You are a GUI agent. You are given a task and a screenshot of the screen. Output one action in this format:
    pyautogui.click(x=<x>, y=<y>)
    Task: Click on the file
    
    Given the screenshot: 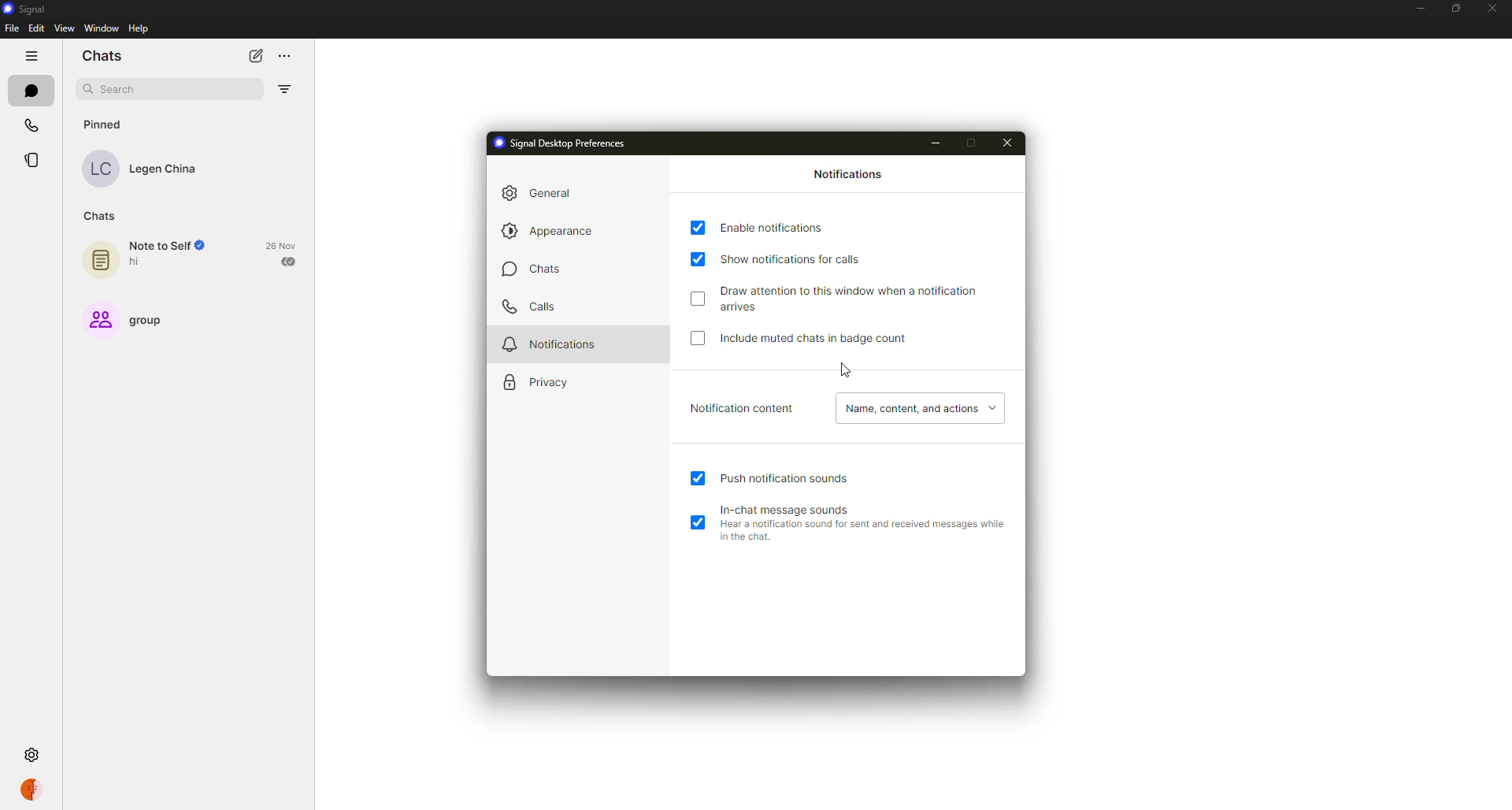 What is the action you would take?
    pyautogui.click(x=13, y=29)
    